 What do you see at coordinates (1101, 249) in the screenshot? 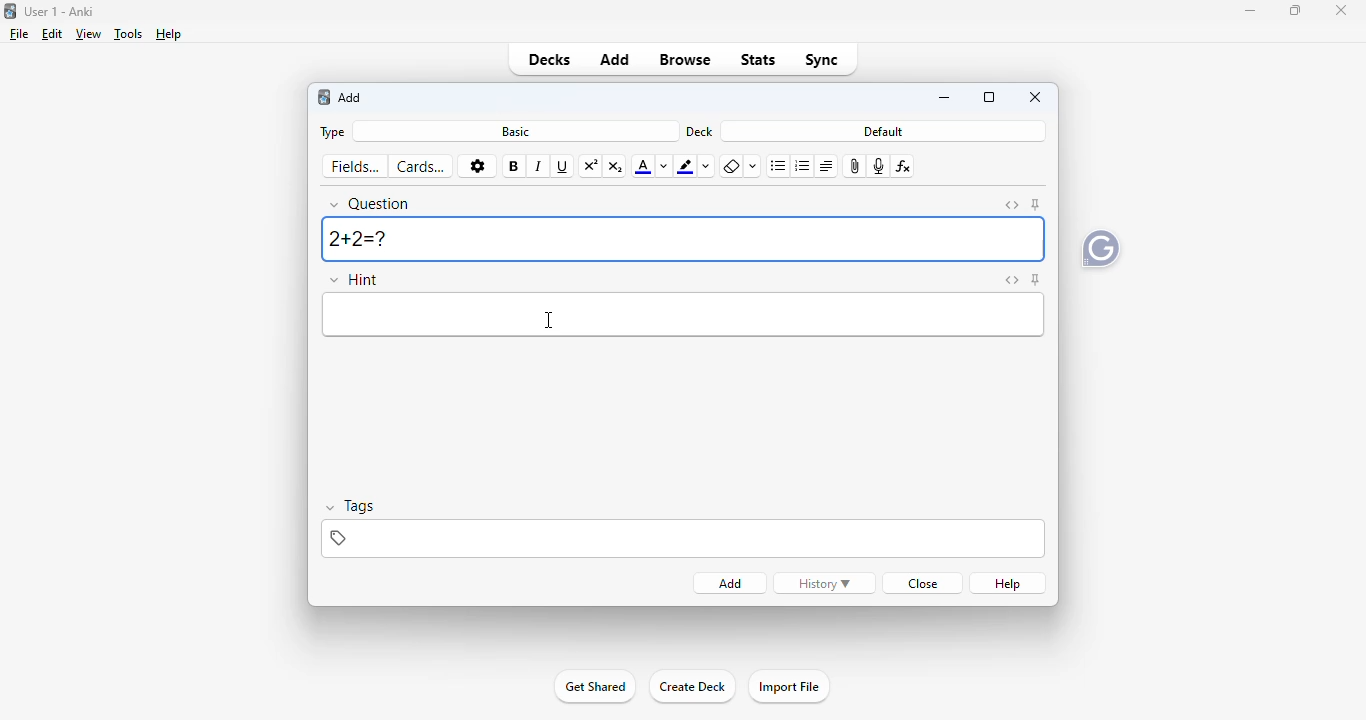
I see `grammarly extension` at bounding box center [1101, 249].